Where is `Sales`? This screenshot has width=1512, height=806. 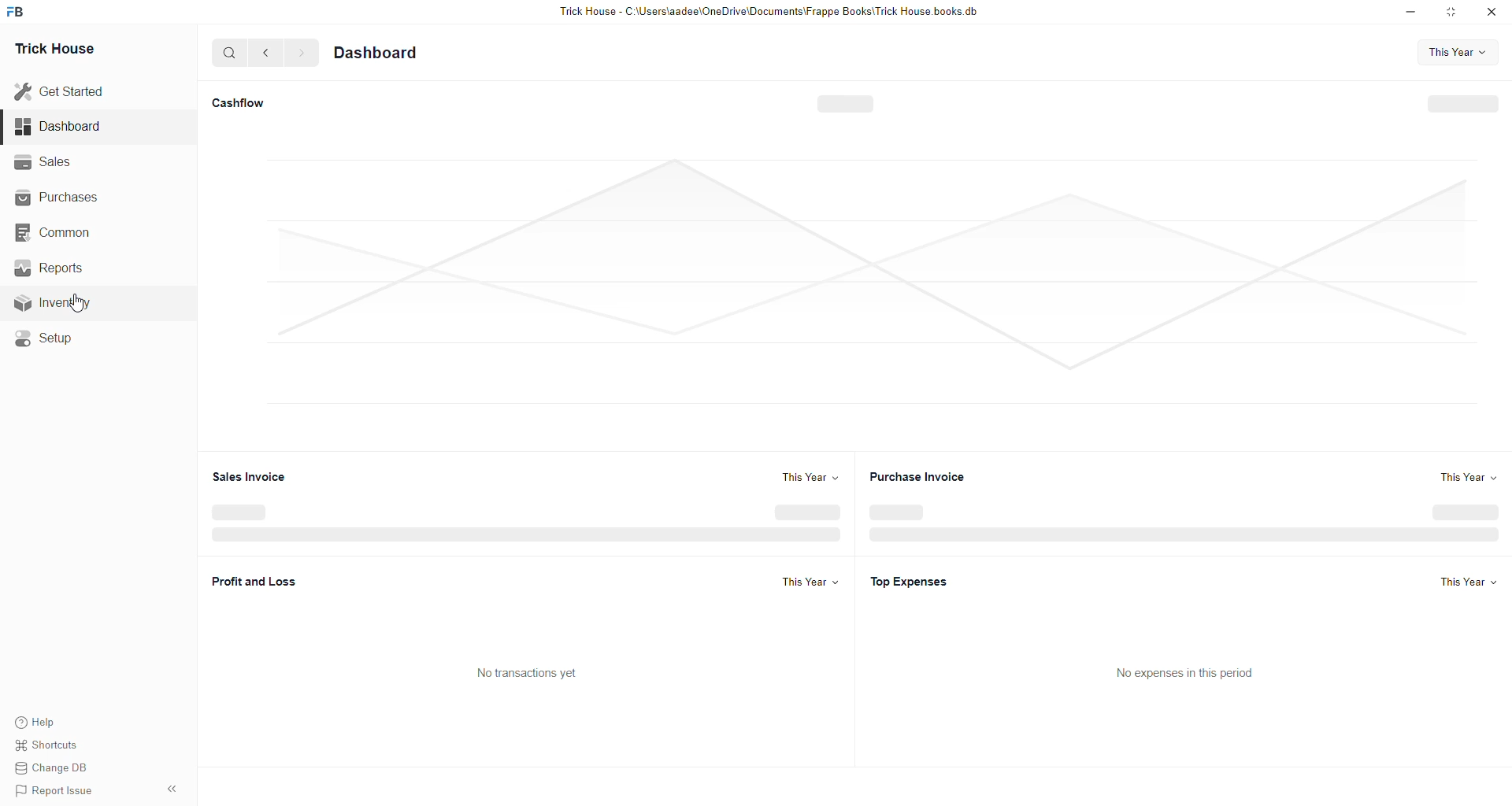 Sales is located at coordinates (46, 166).